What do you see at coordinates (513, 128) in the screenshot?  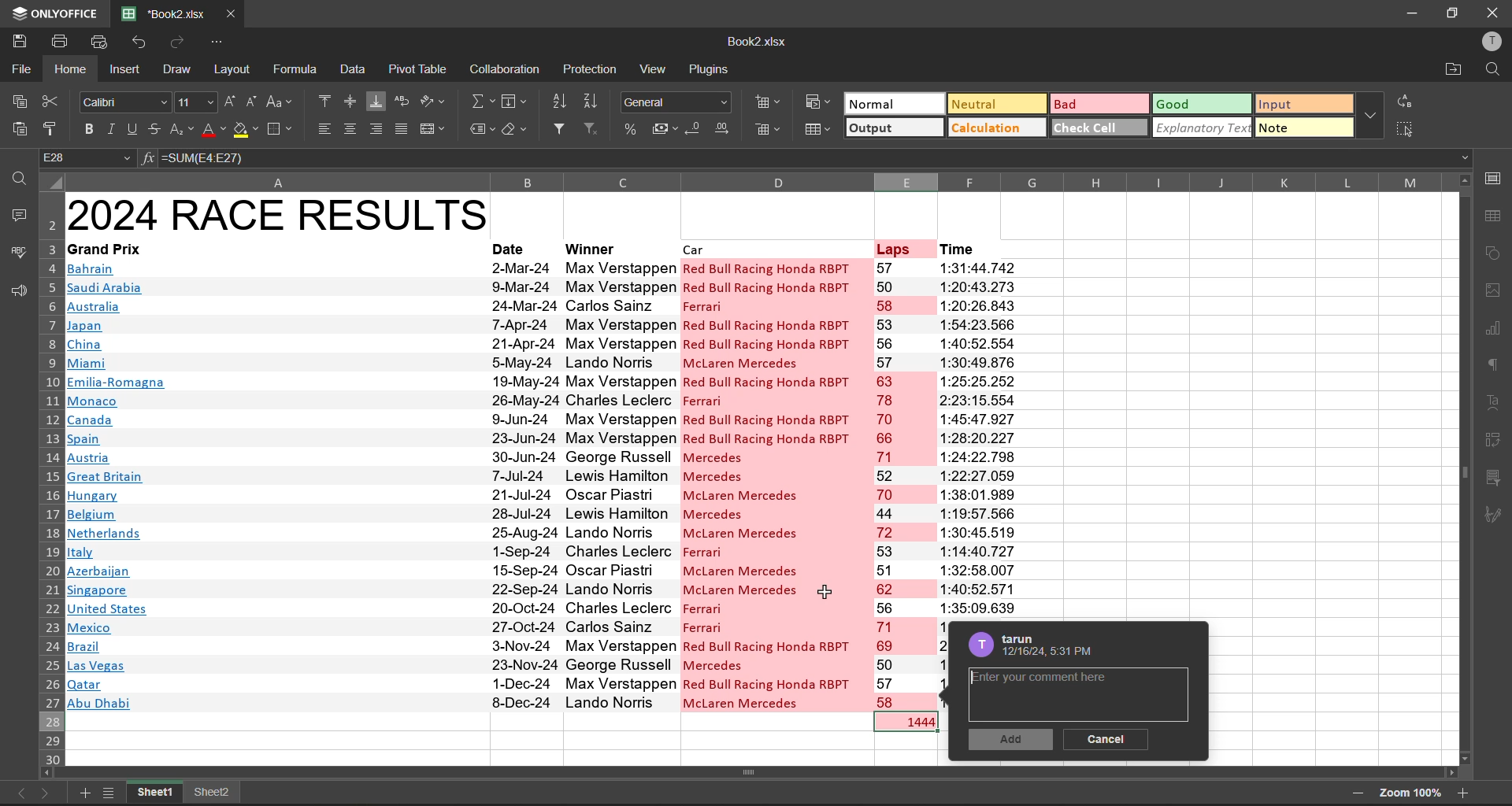 I see `clear` at bounding box center [513, 128].